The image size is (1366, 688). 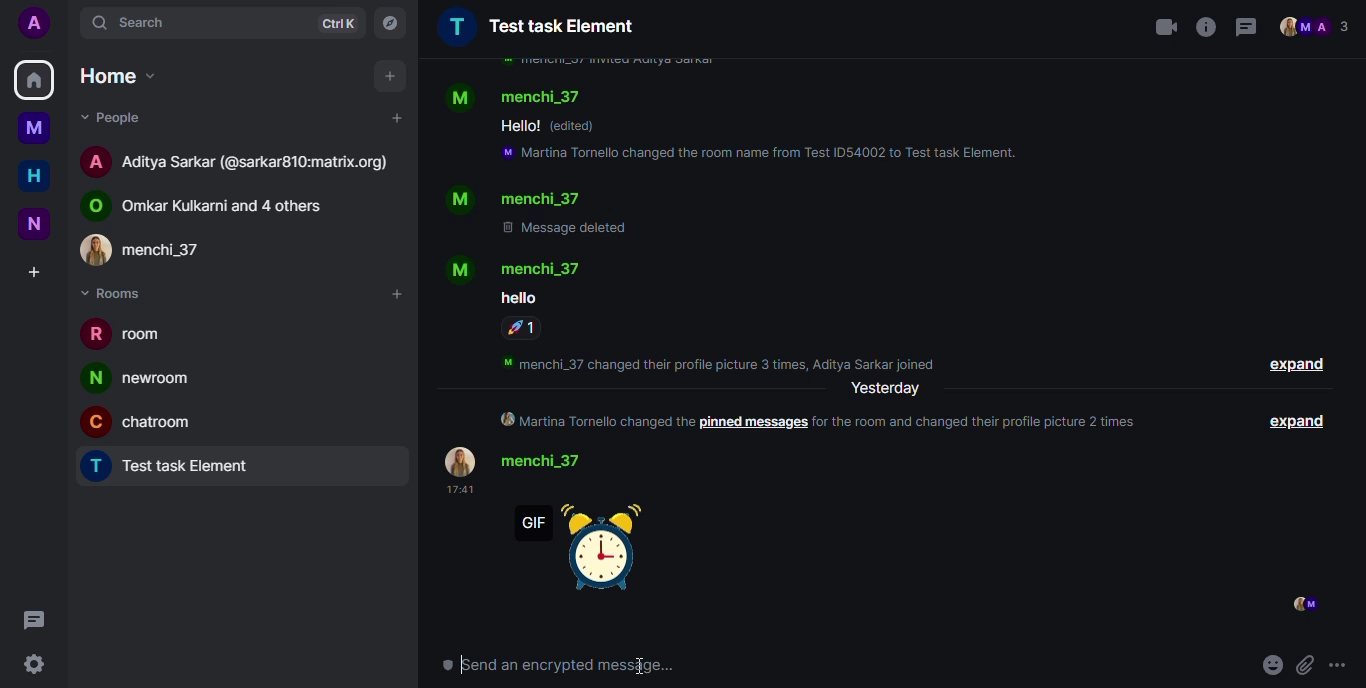 I want to click on more, so click(x=1341, y=664).